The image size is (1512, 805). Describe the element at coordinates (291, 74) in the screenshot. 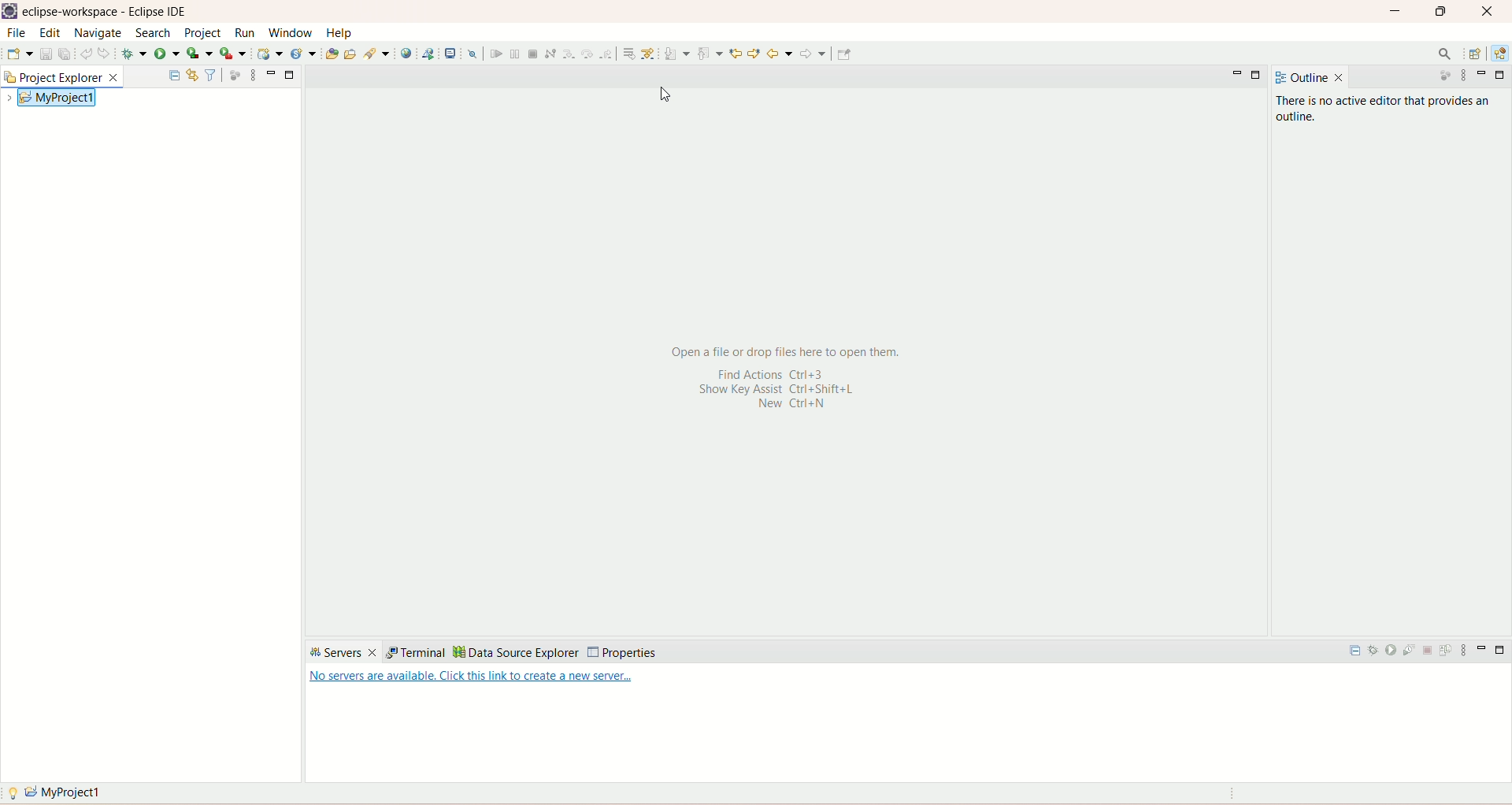

I see `minimize` at that location.